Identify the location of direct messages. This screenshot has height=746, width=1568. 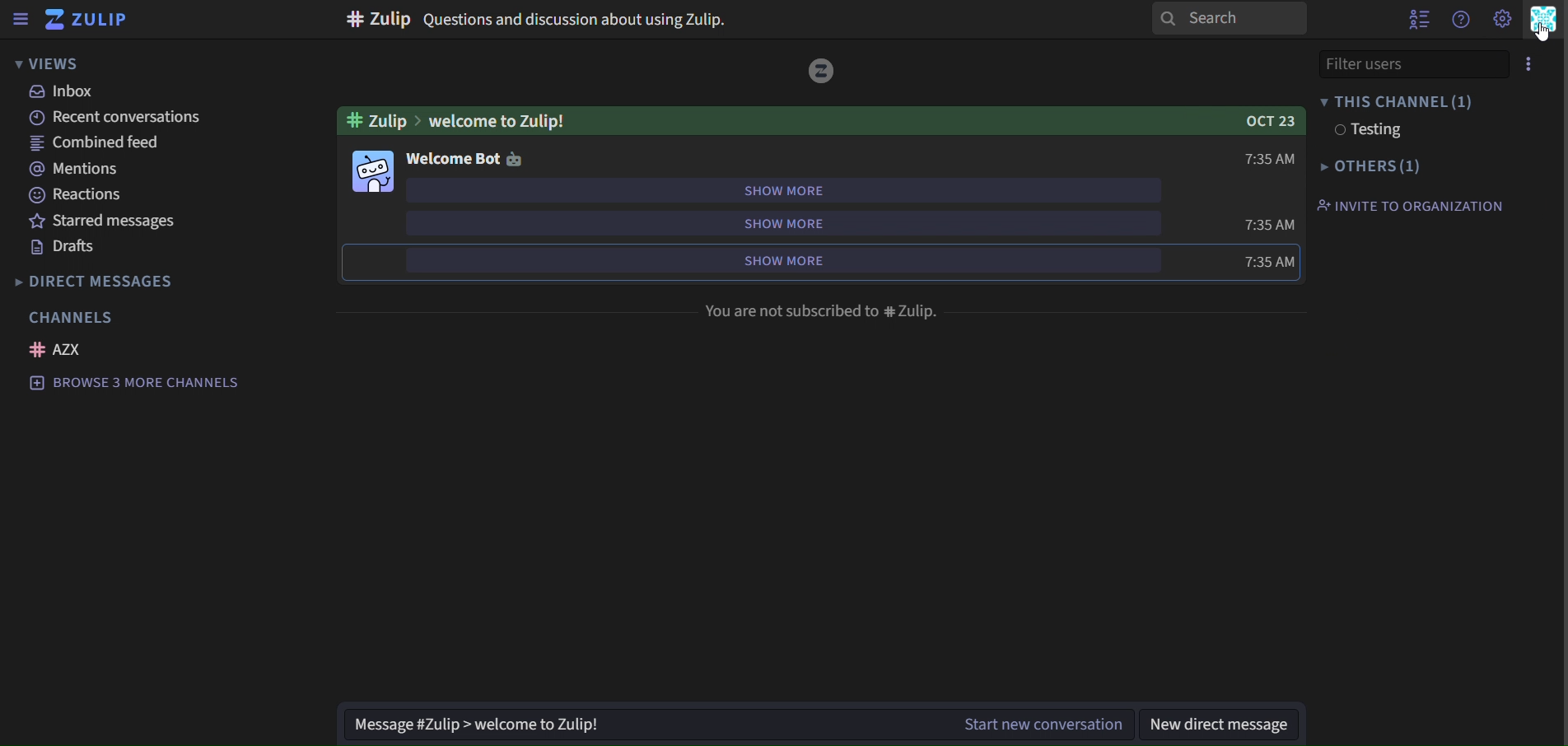
(118, 280).